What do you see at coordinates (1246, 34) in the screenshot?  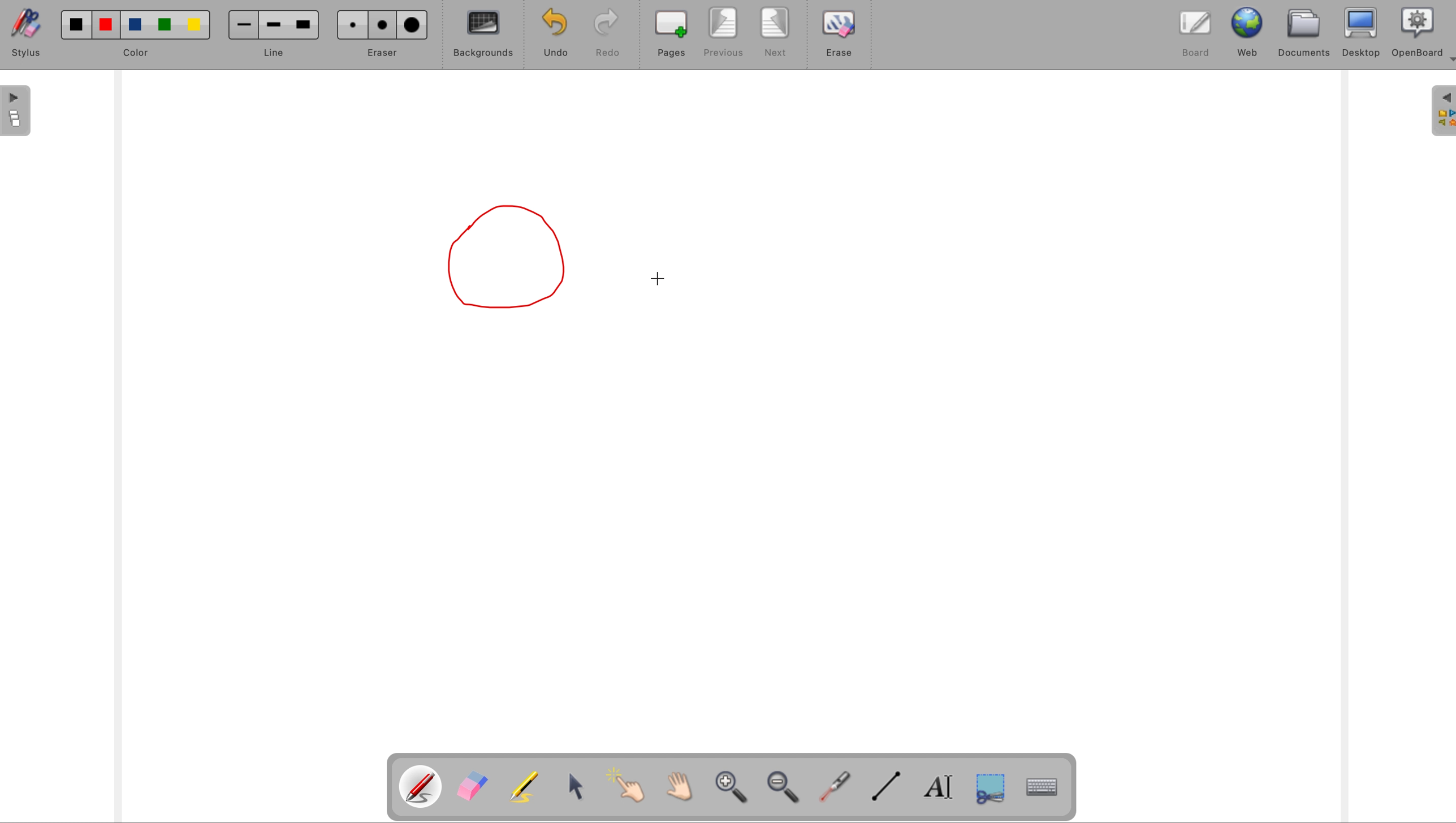 I see `web` at bounding box center [1246, 34].